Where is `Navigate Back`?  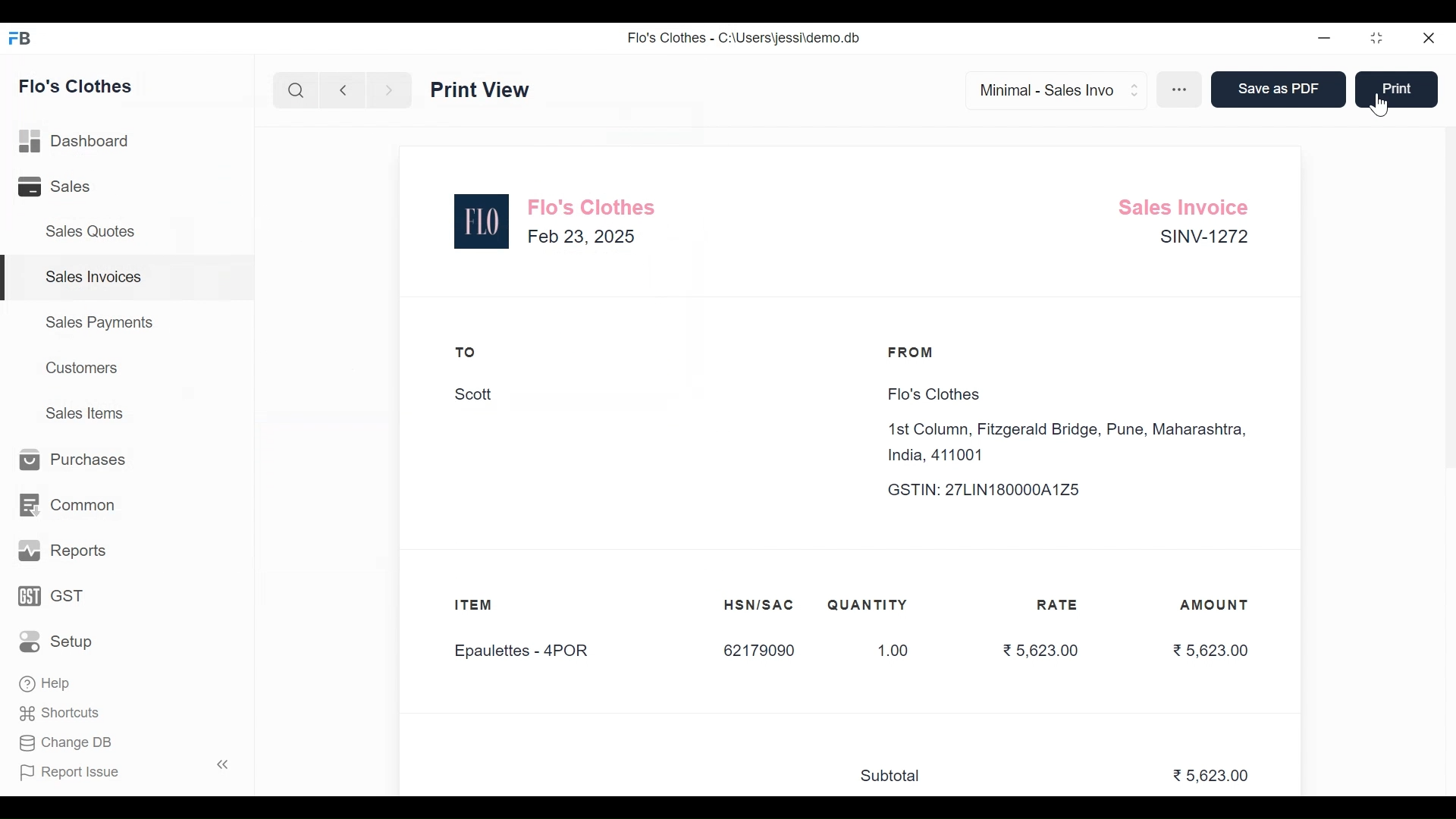
Navigate Back is located at coordinates (342, 91).